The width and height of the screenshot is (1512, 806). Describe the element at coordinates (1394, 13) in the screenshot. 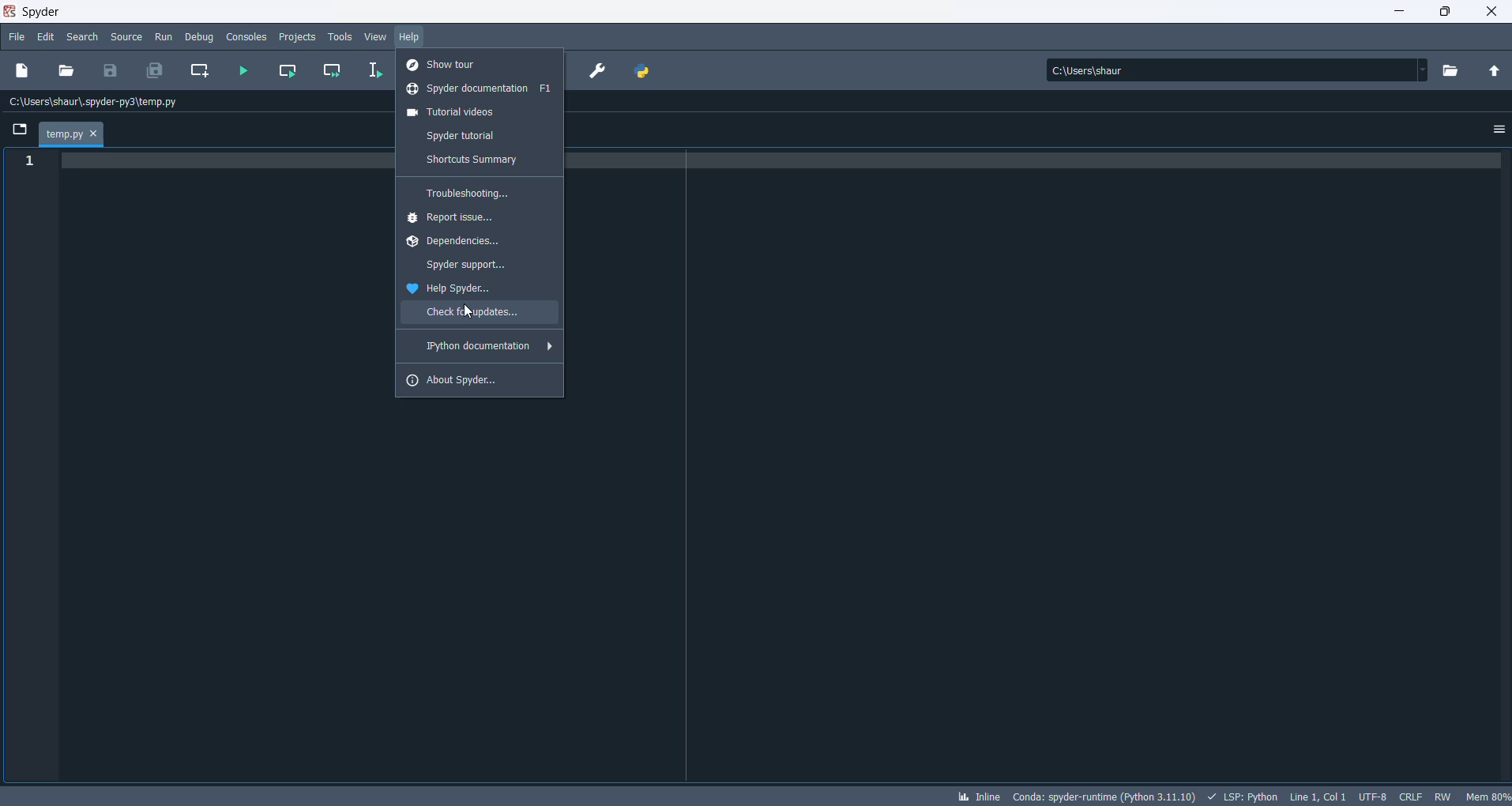

I see `minimize` at that location.